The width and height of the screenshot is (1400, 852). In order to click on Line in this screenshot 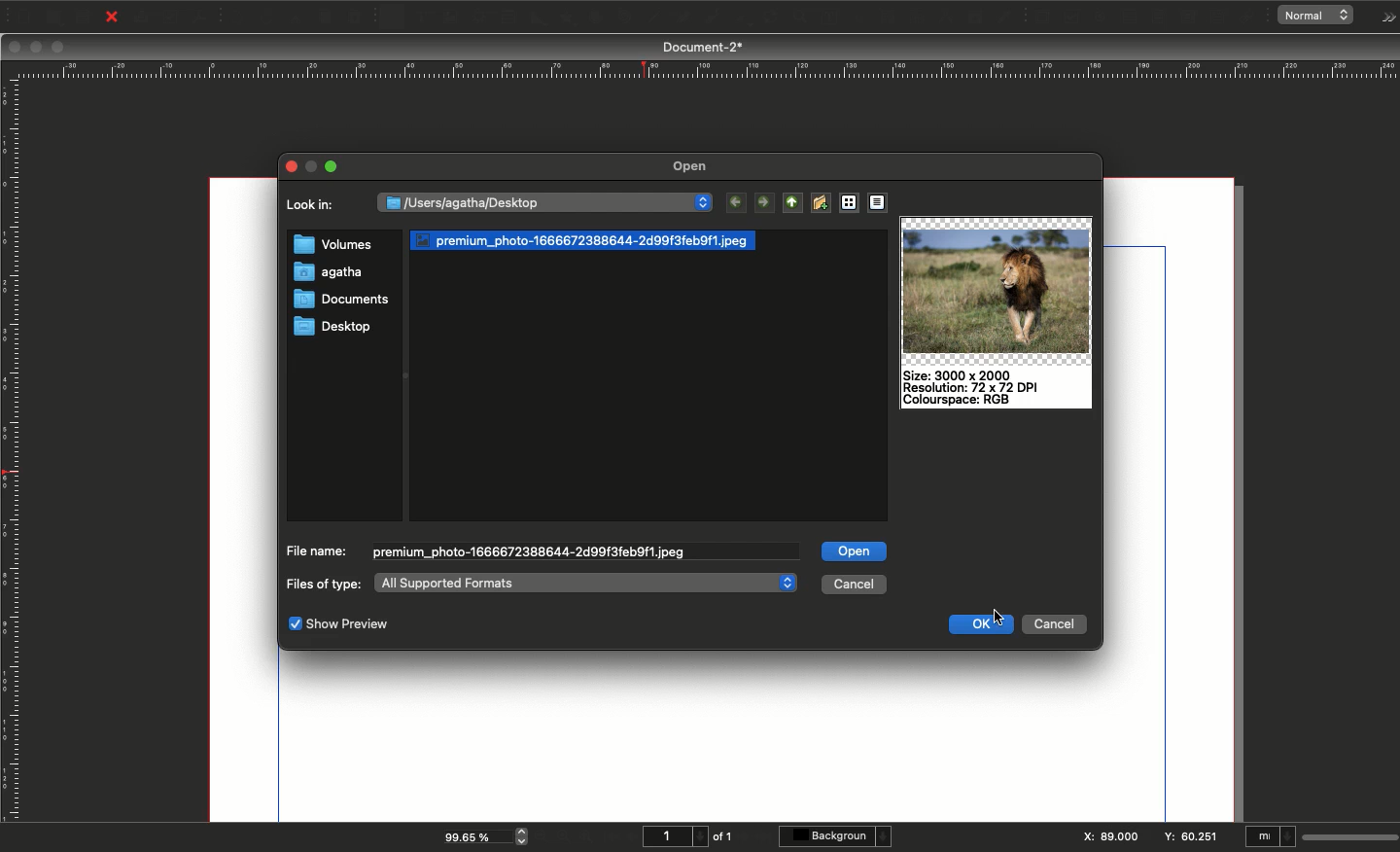, I will do `click(652, 18)`.